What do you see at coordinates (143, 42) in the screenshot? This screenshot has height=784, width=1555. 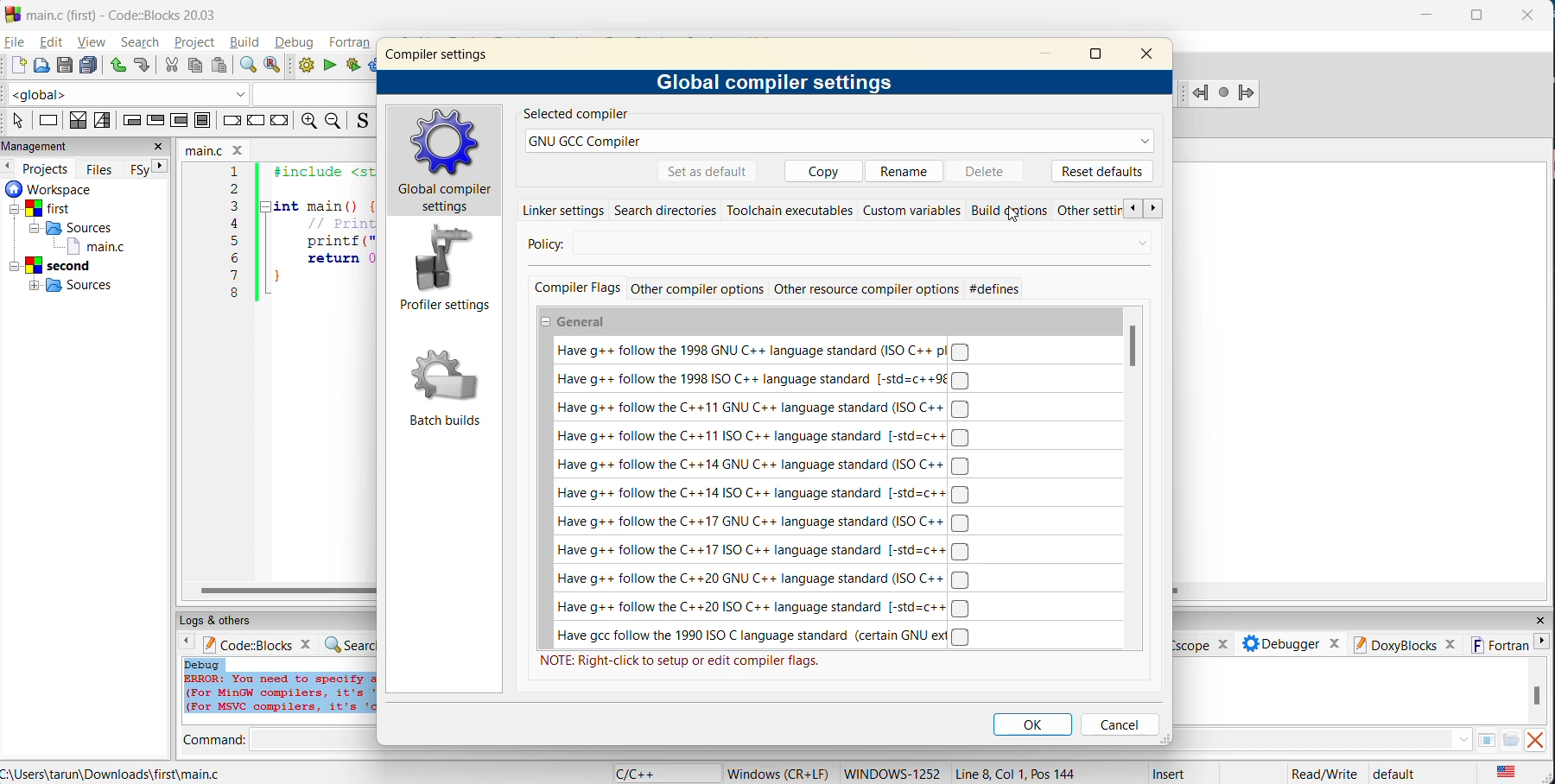 I see `search` at bounding box center [143, 42].